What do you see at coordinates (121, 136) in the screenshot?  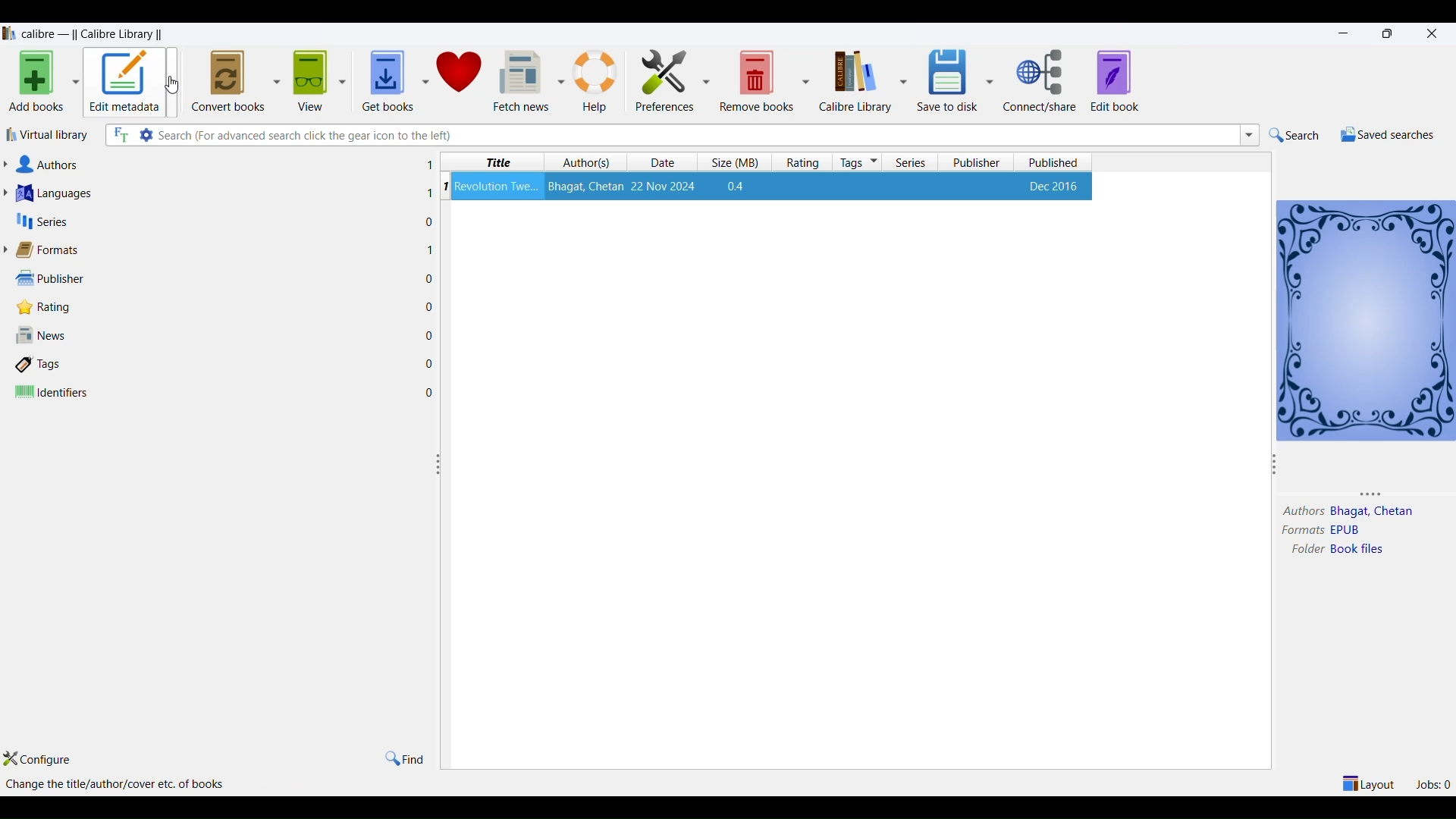 I see `full text search ` at bounding box center [121, 136].